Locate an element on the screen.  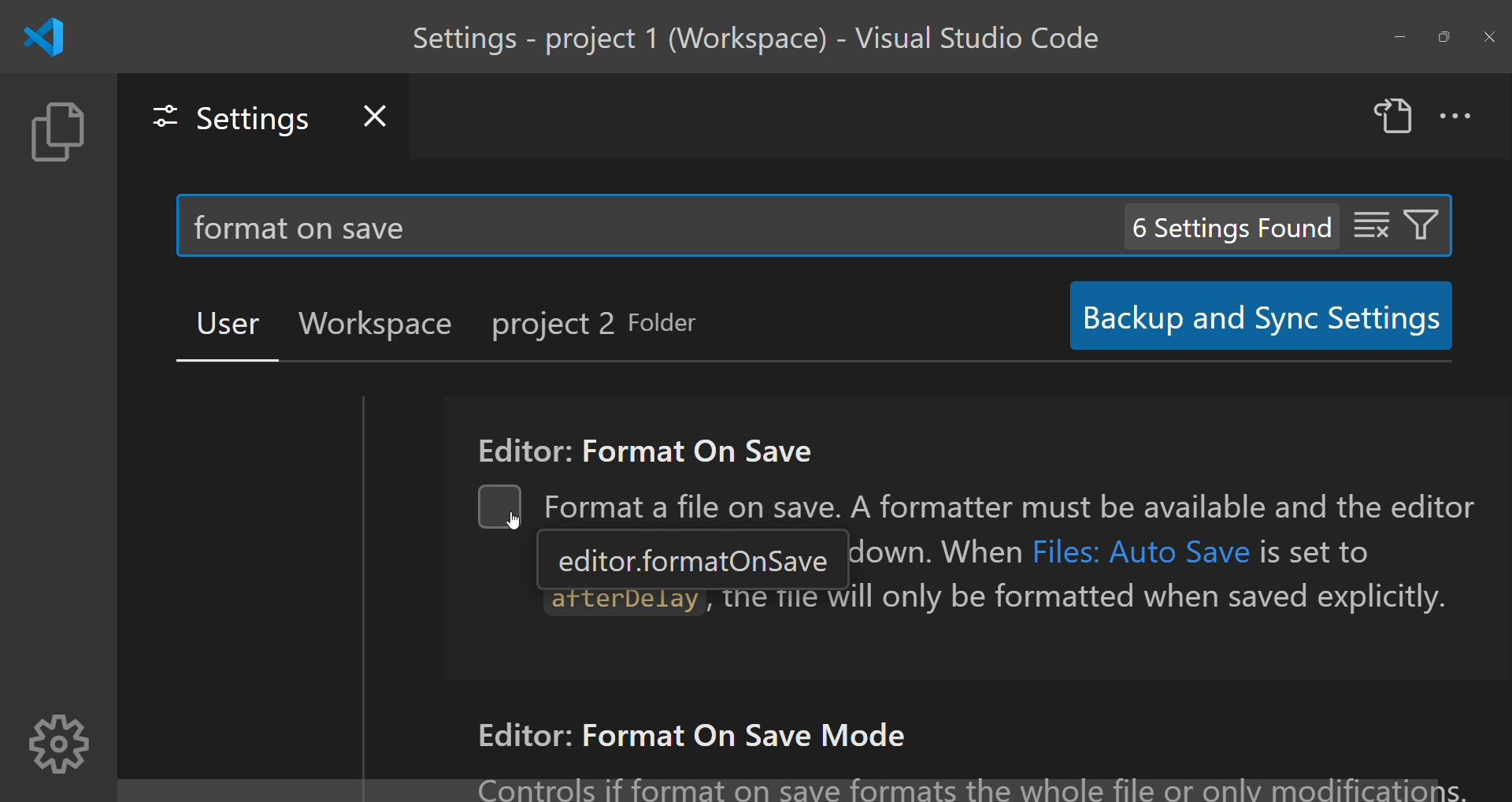
editor.formatOnSave is located at coordinates (694, 559).